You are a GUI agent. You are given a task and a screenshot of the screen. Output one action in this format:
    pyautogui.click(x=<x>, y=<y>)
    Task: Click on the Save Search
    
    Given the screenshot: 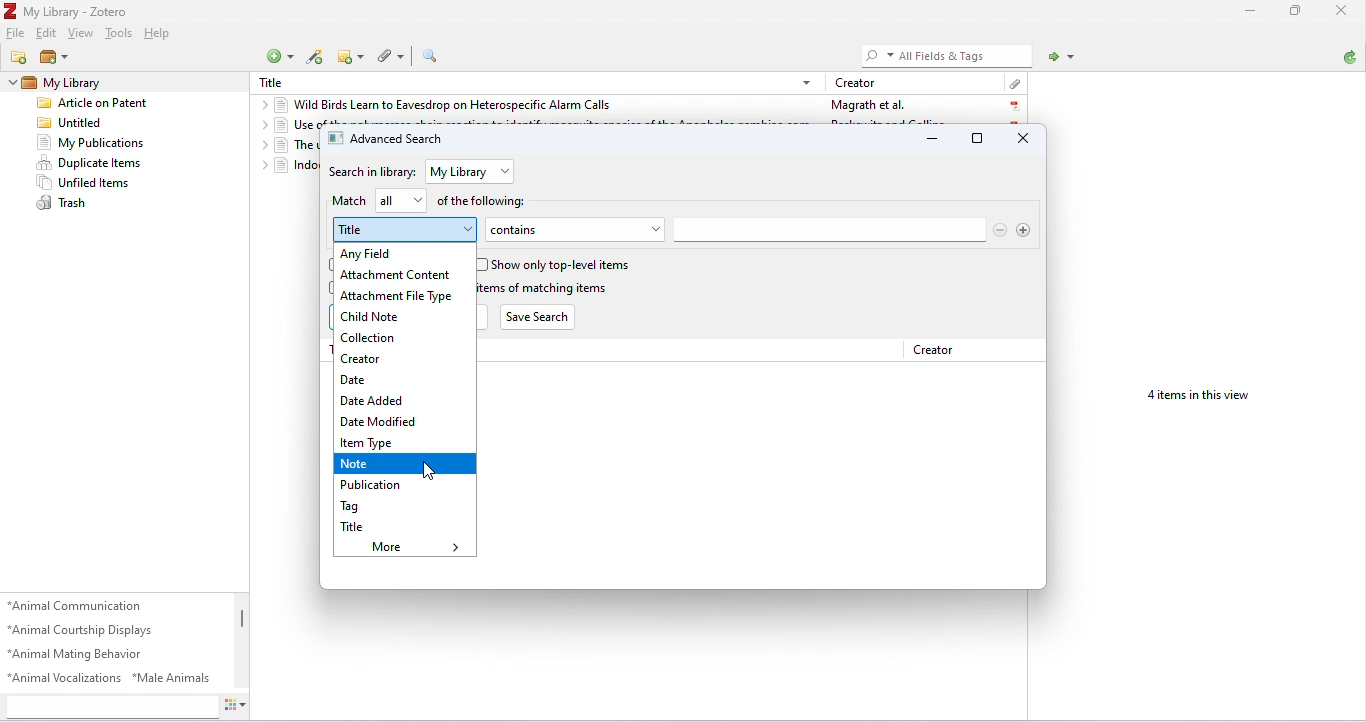 What is the action you would take?
    pyautogui.click(x=538, y=318)
    